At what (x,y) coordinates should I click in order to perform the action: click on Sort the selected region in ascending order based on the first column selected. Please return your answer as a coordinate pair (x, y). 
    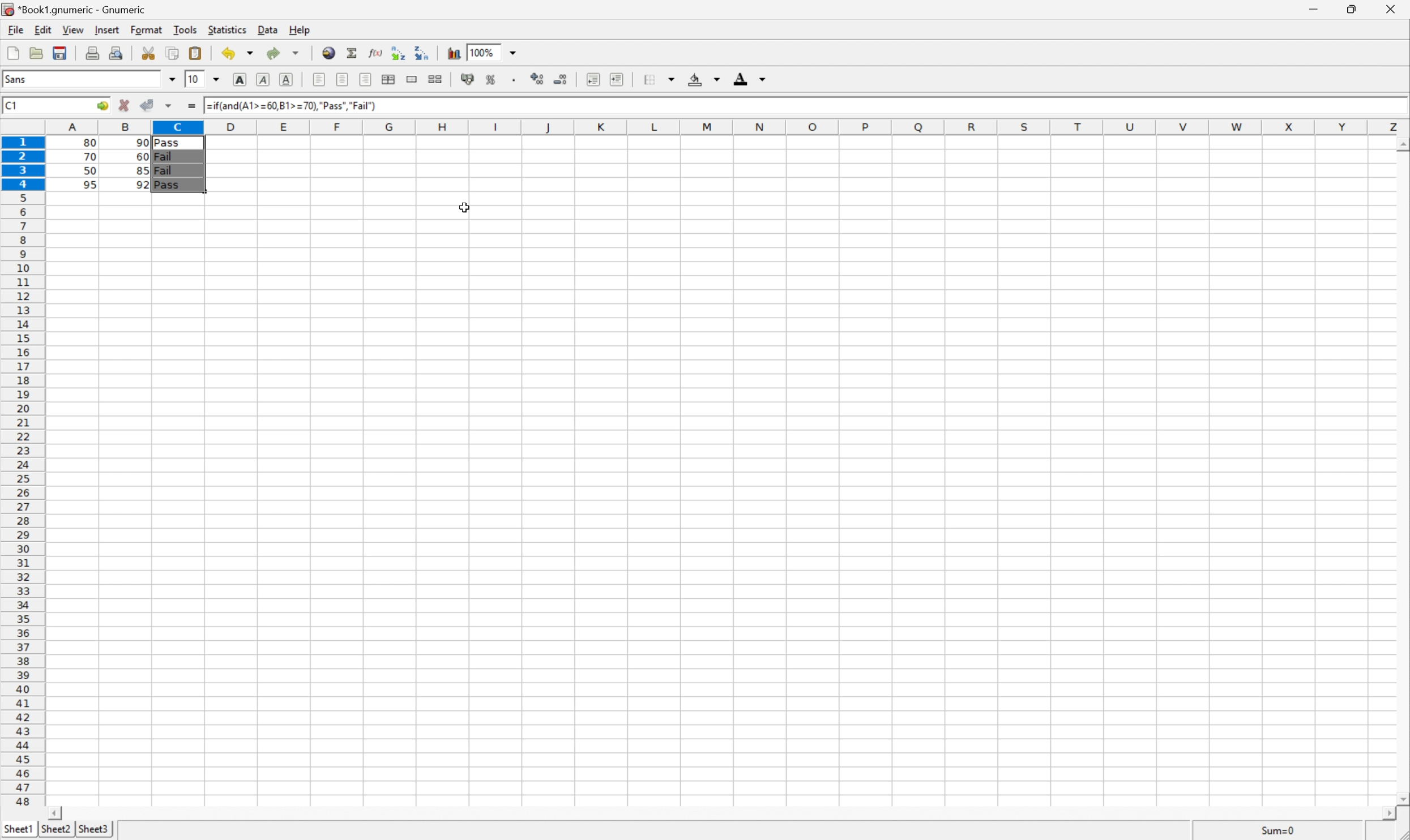
    Looking at the image, I should click on (397, 53).